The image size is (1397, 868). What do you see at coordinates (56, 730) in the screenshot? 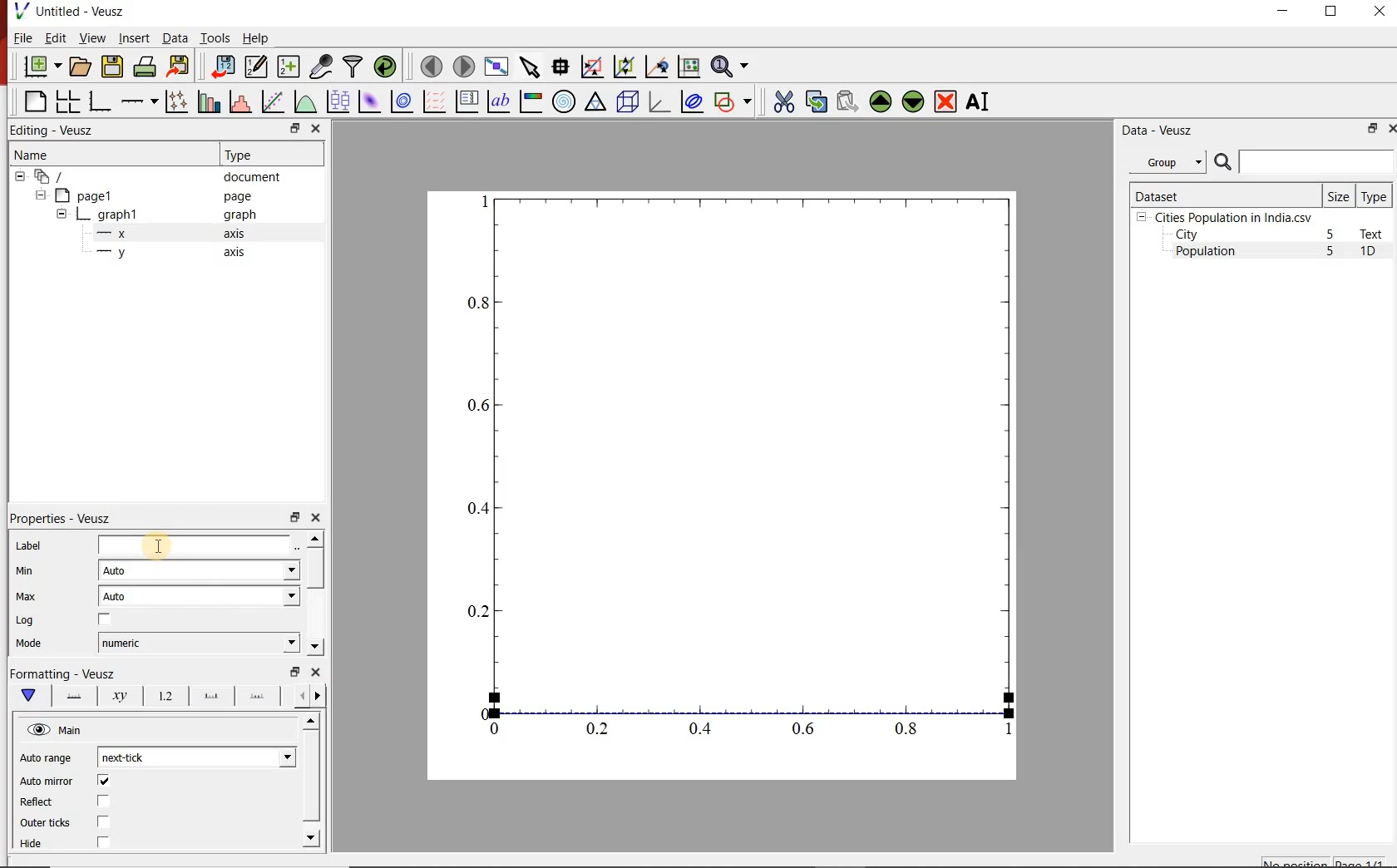
I see `Main` at bounding box center [56, 730].